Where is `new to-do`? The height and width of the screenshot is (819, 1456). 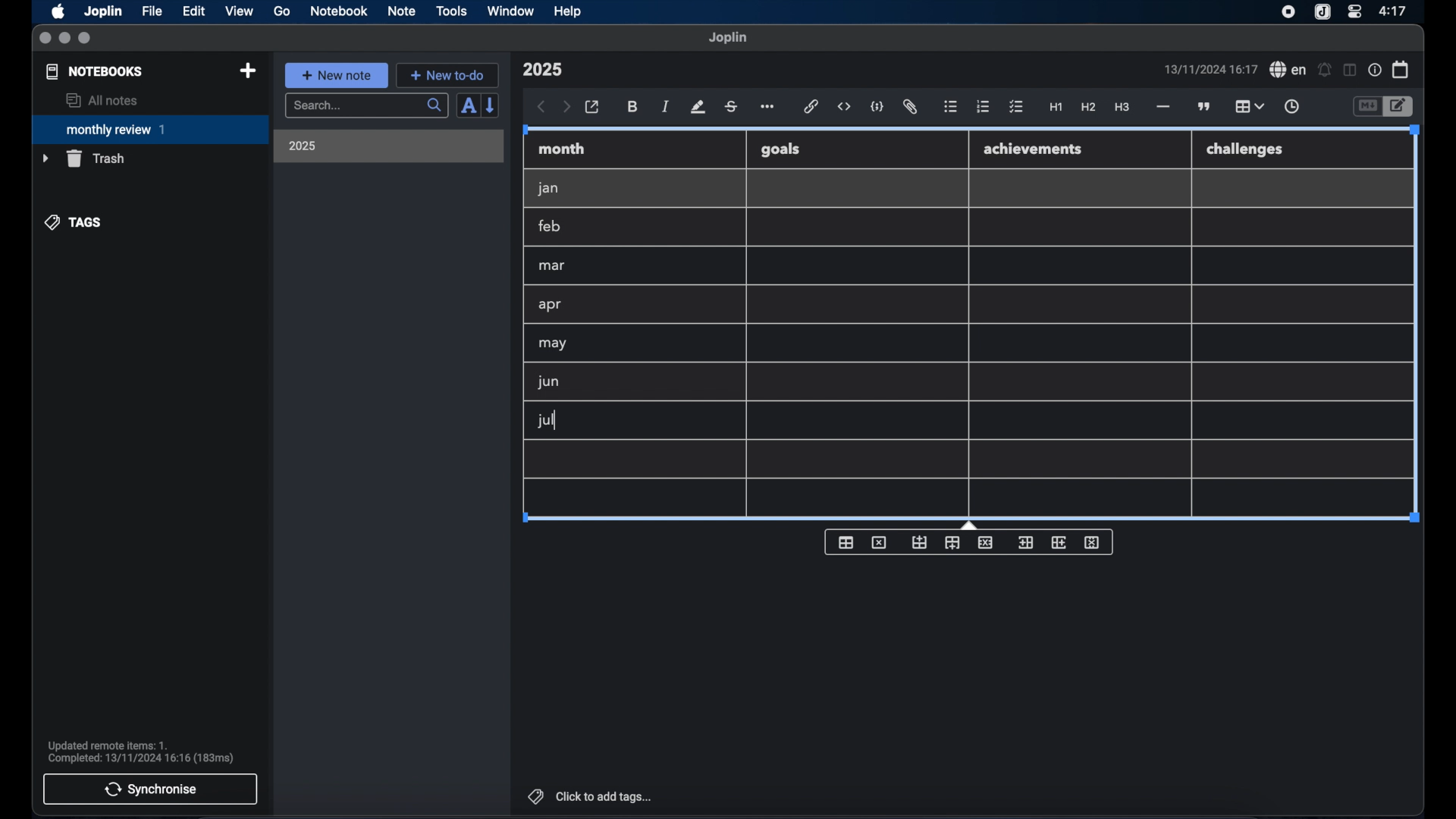 new to-do is located at coordinates (448, 75).